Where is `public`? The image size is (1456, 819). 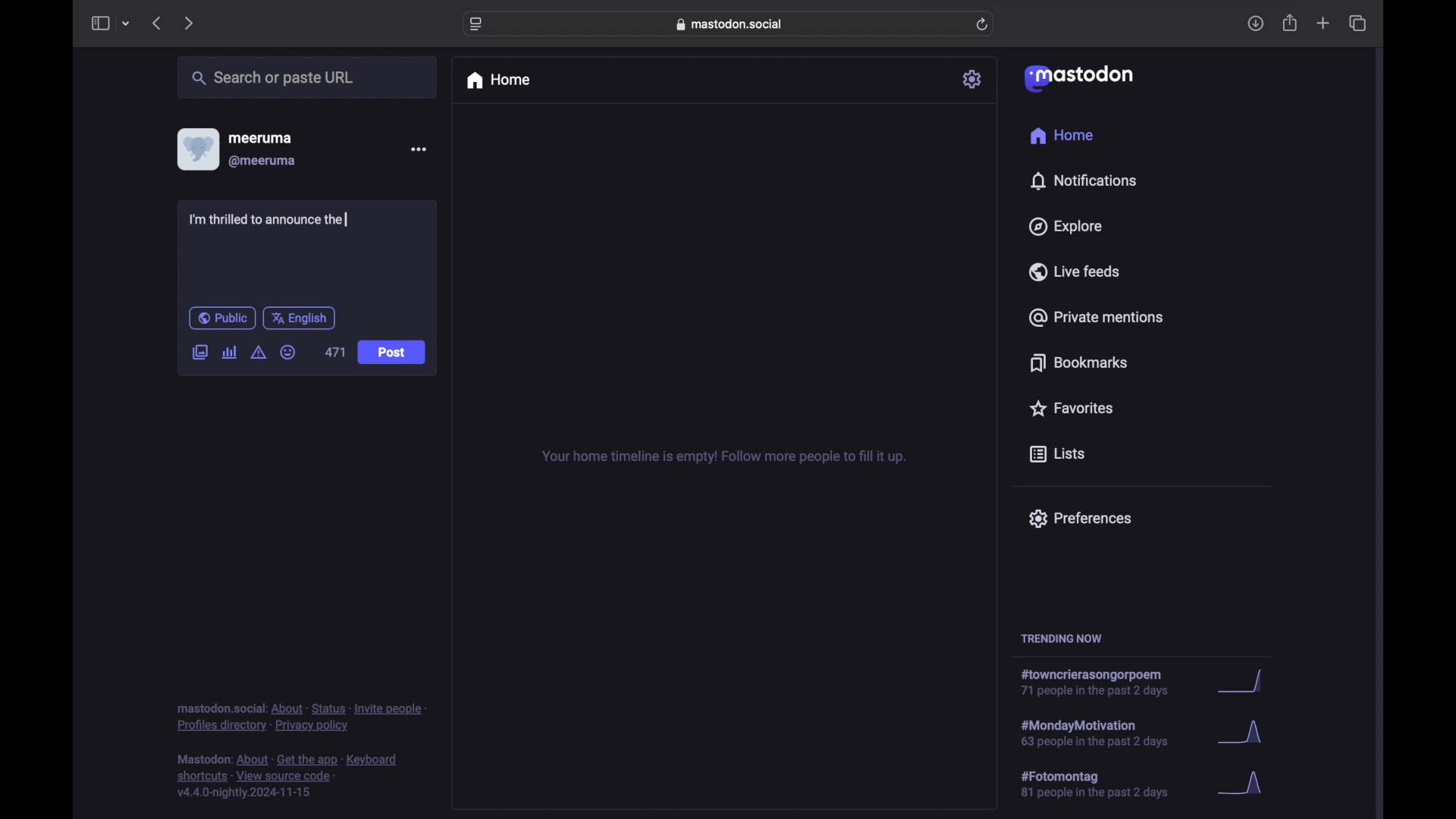
public is located at coordinates (222, 318).